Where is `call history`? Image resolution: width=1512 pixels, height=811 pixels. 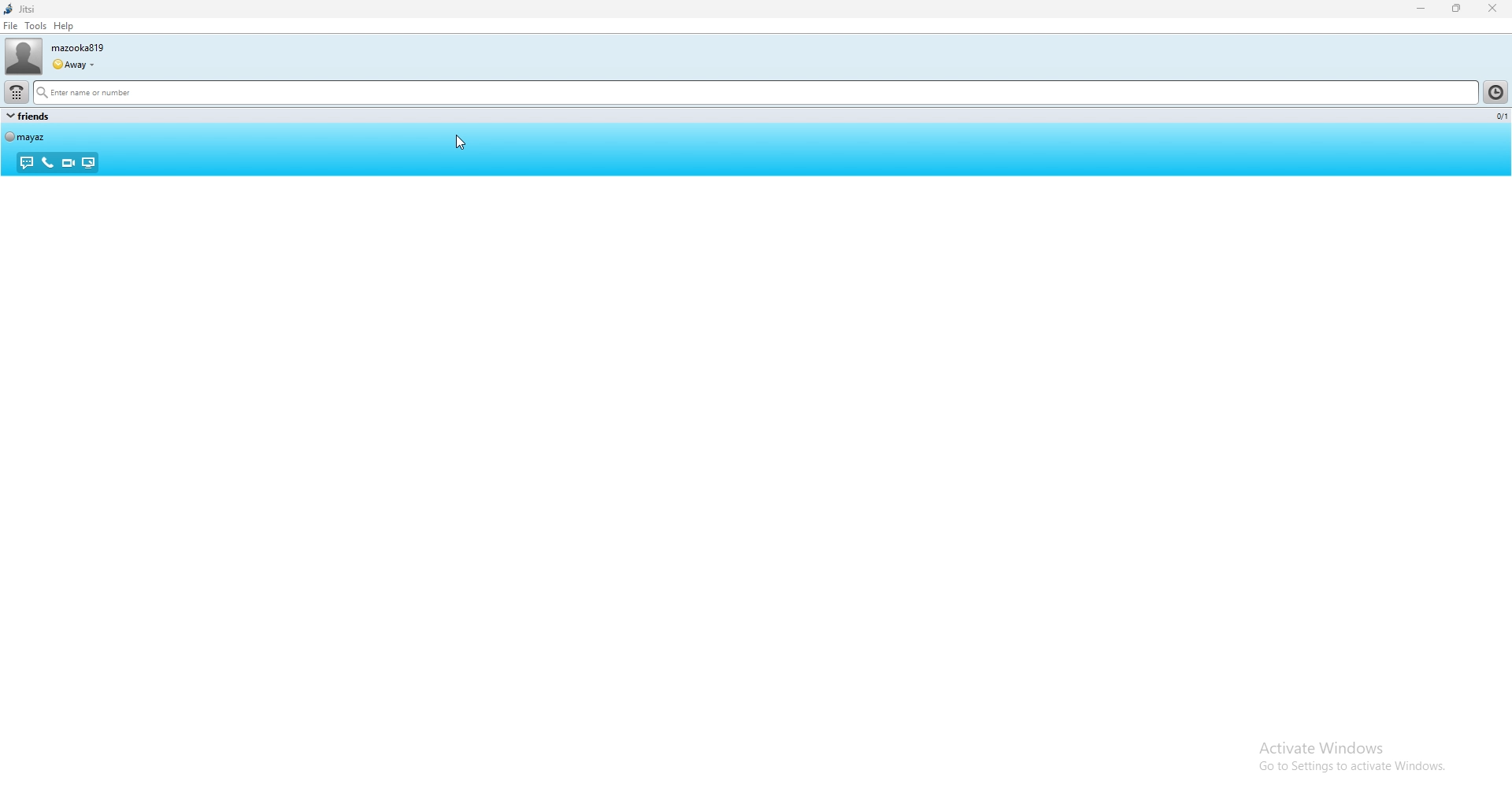
call history is located at coordinates (1496, 91).